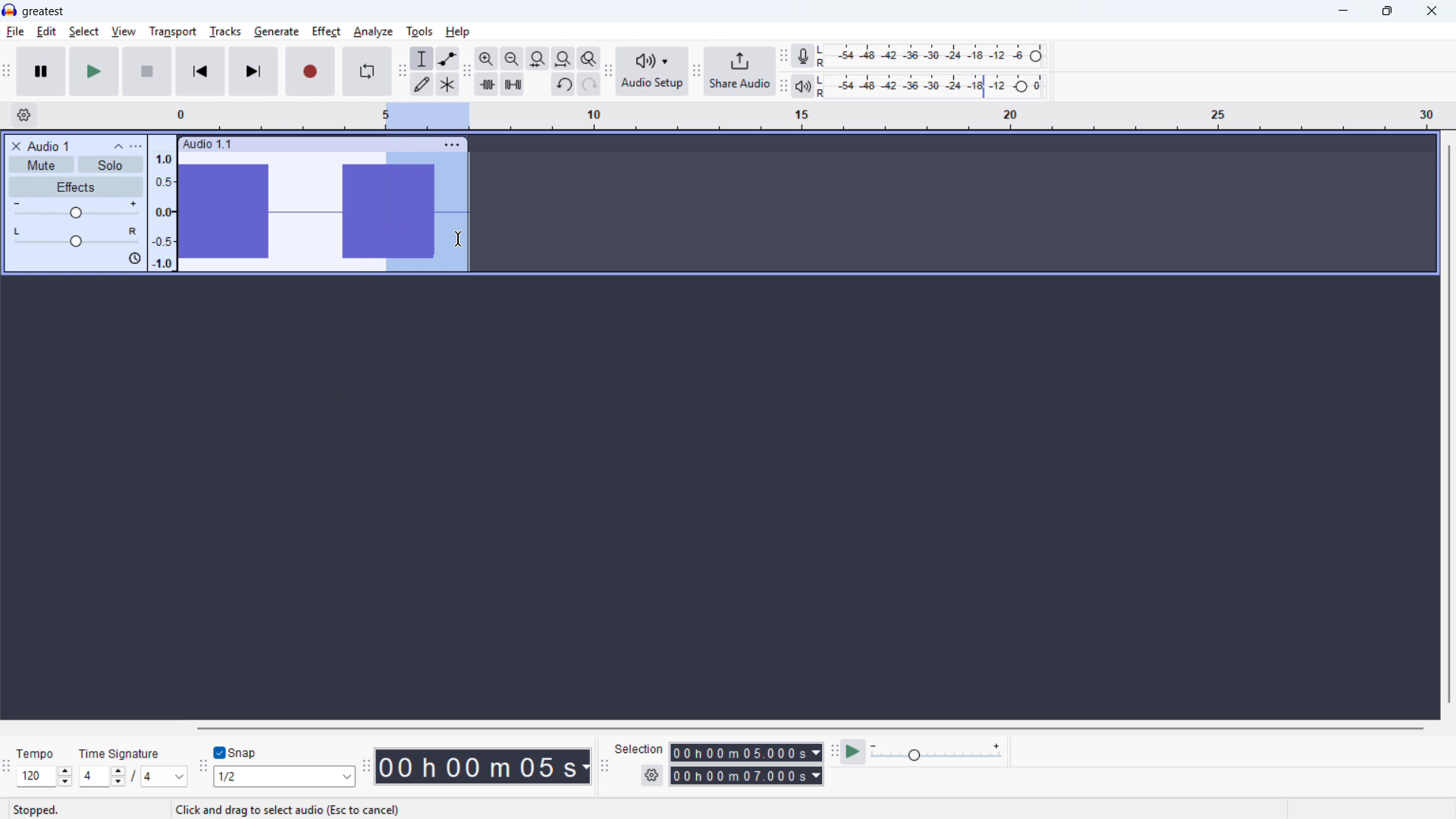  What do you see at coordinates (487, 85) in the screenshot?
I see `Trim audio outside selection ` at bounding box center [487, 85].